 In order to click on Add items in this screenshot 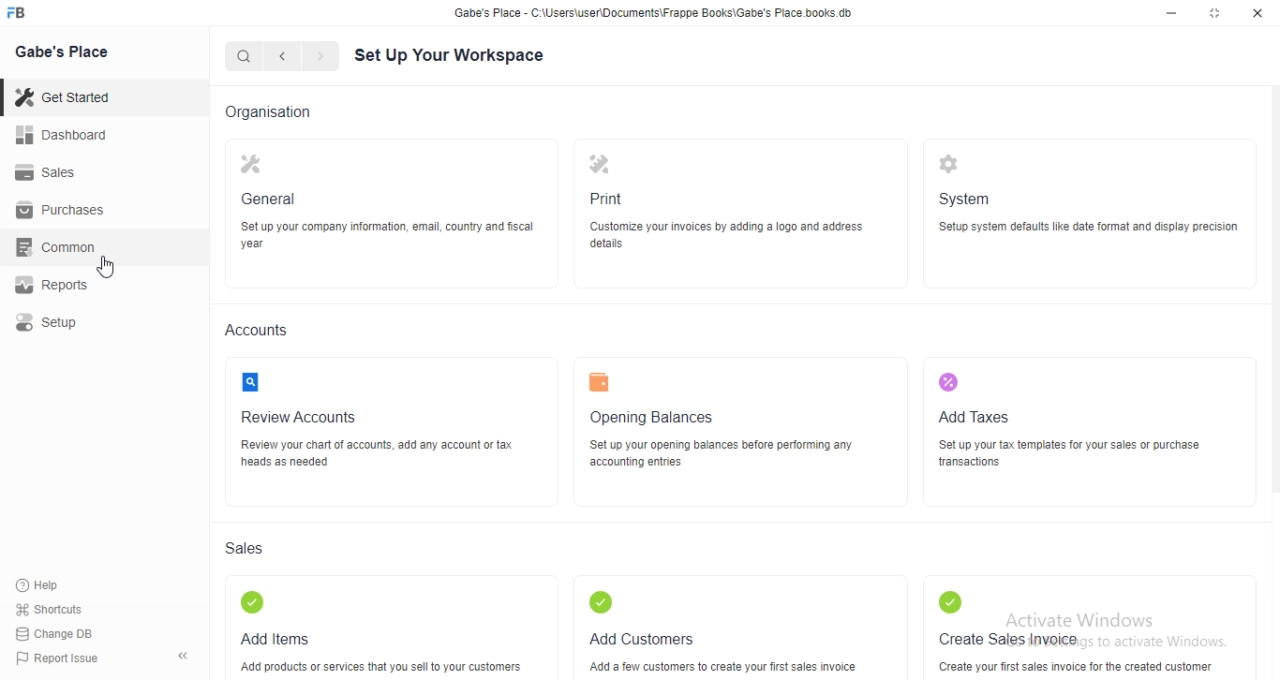, I will do `click(274, 640)`.